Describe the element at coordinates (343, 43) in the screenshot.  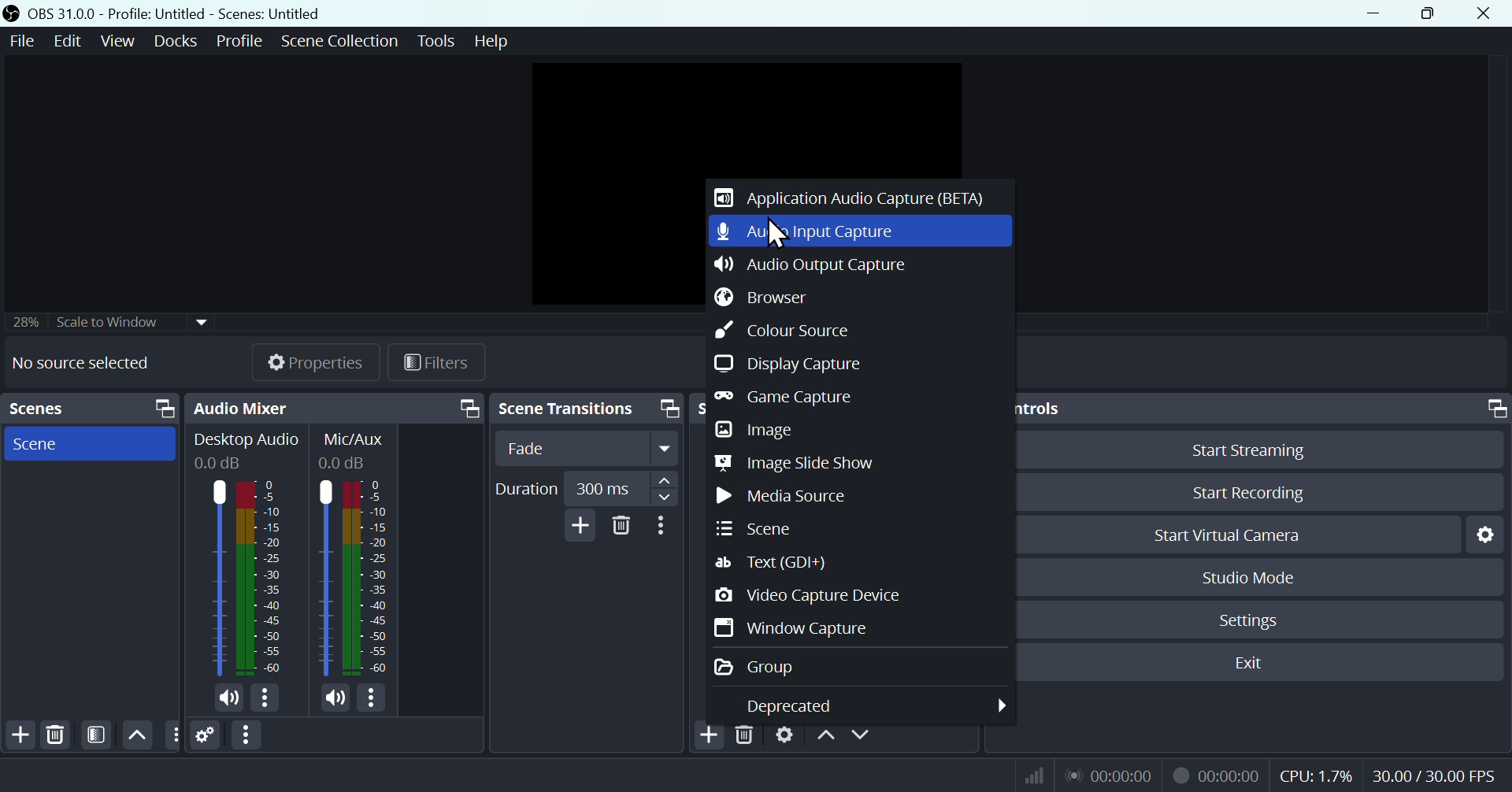
I see `Scene collection` at that location.